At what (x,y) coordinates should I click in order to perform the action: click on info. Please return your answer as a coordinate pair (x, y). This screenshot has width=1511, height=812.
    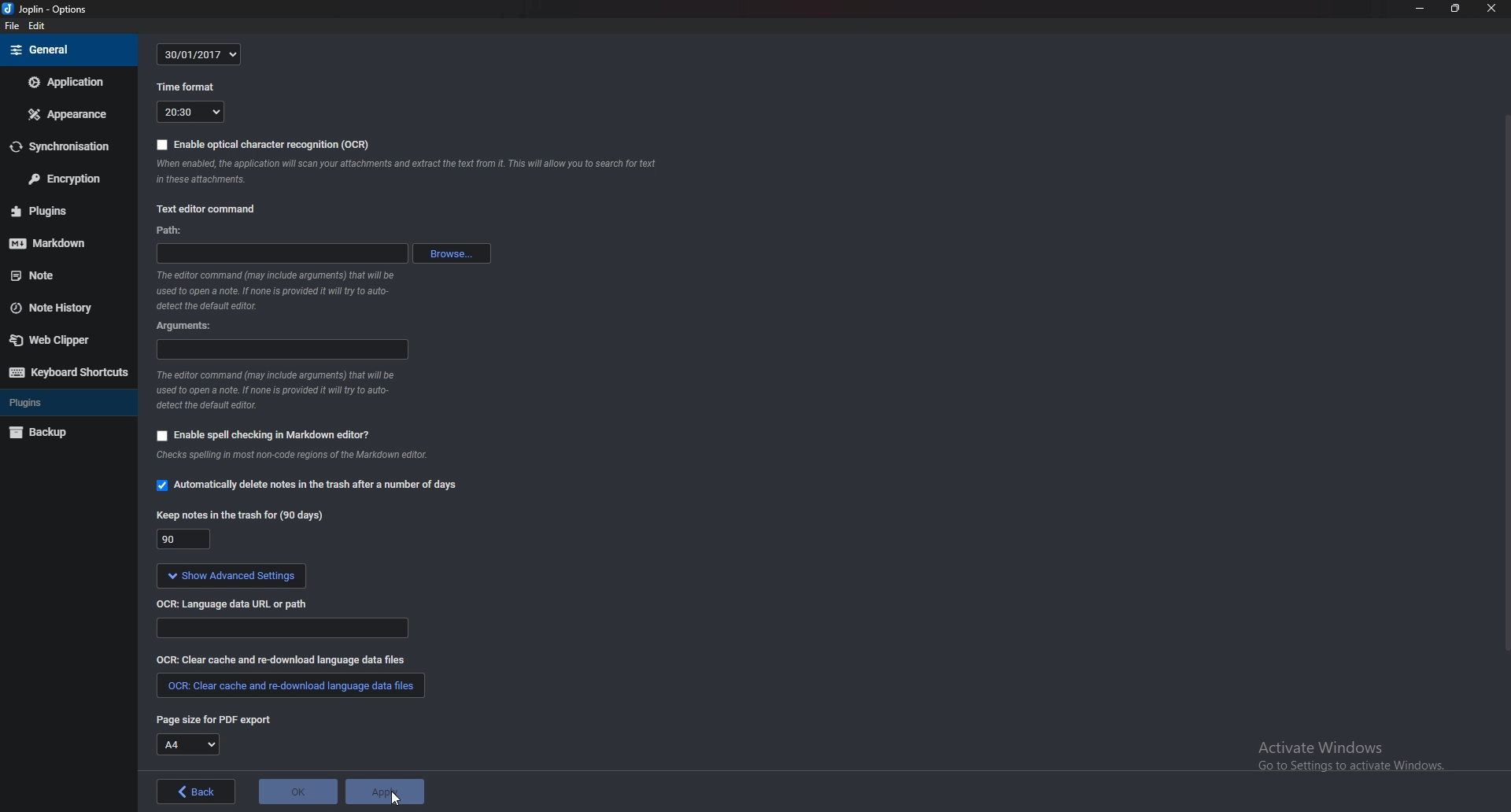
    Looking at the image, I should click on (283, 391).